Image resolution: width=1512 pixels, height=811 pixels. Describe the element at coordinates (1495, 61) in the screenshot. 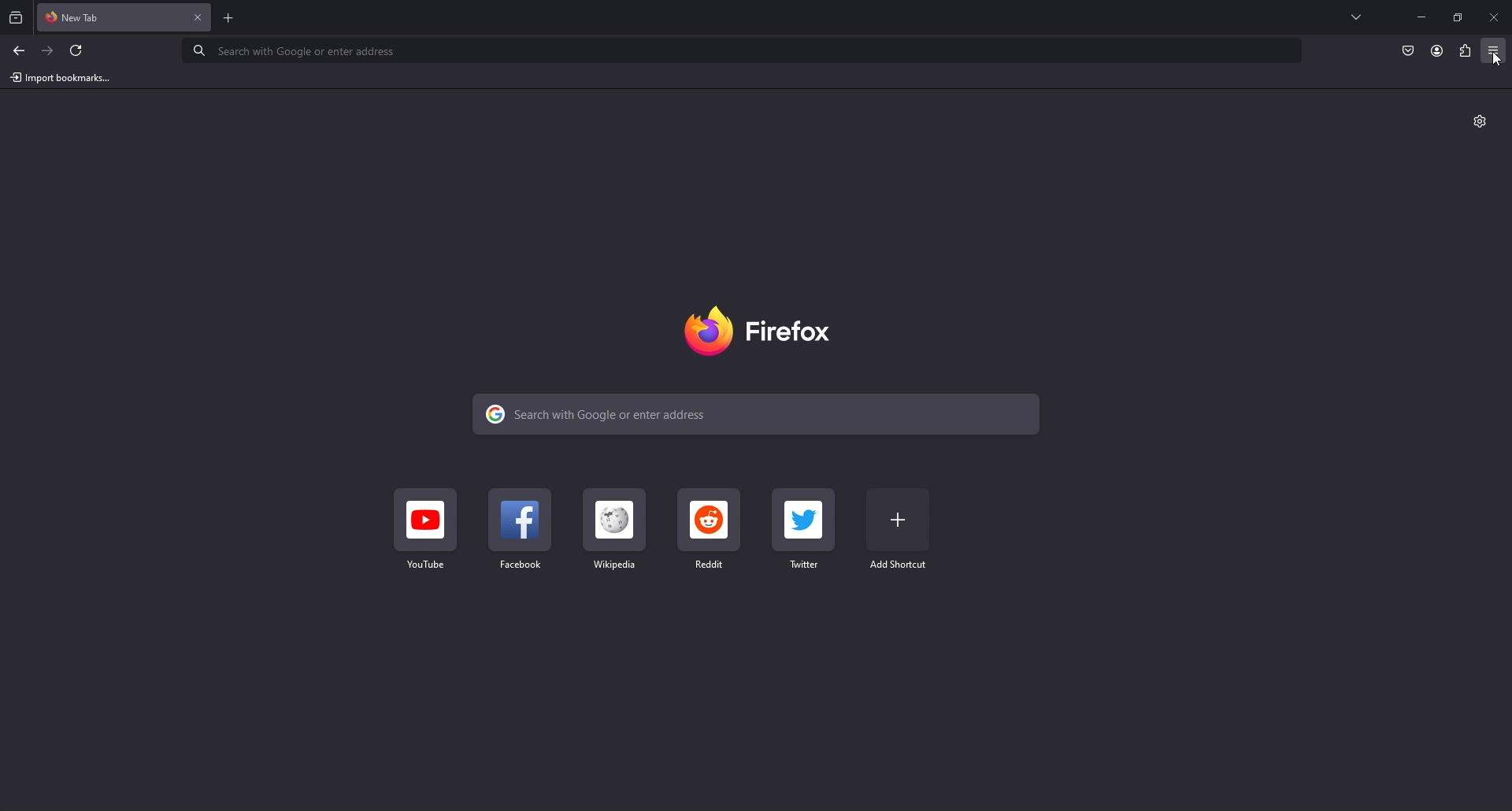

I see `cursor` at that location.